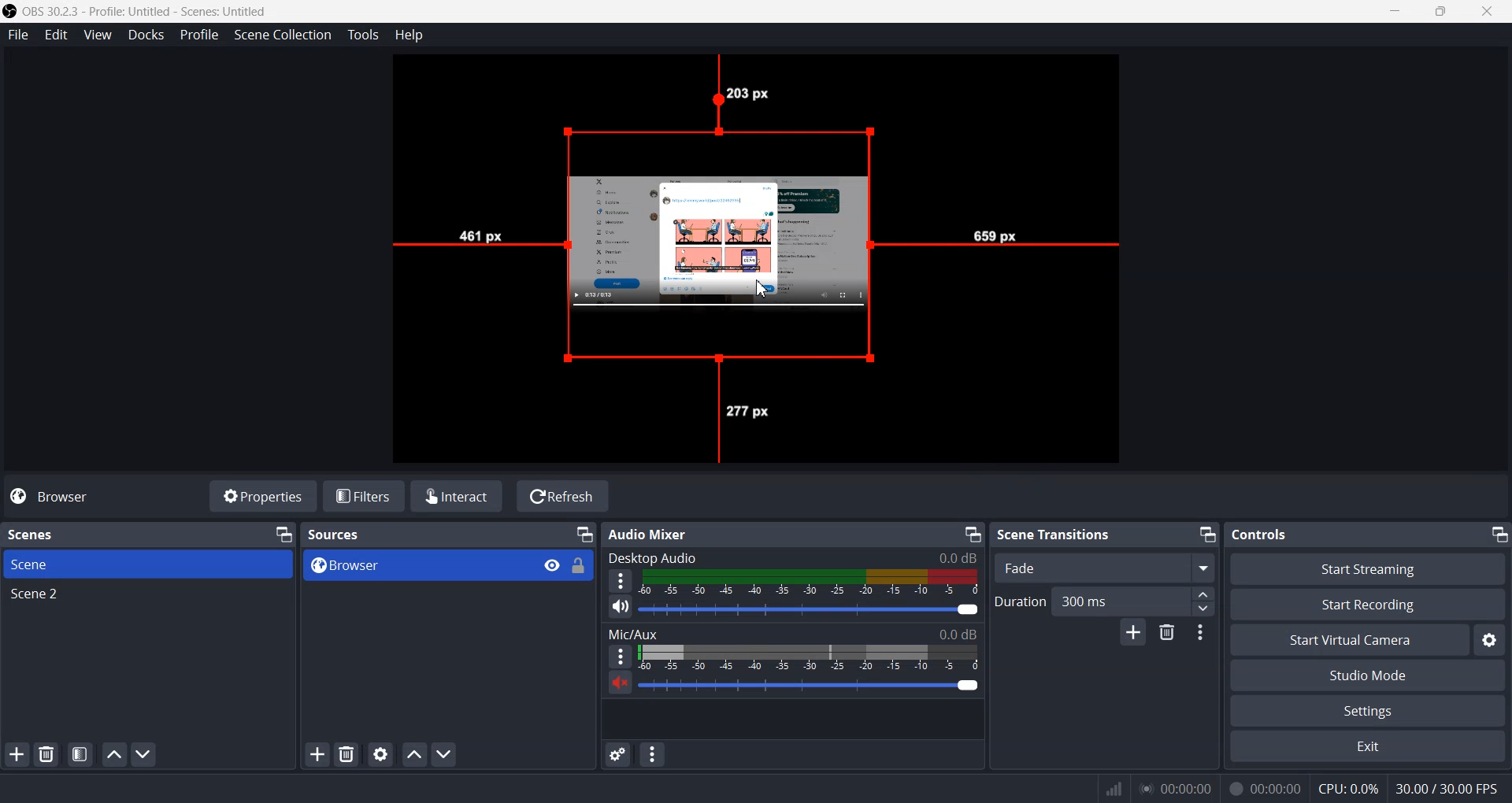  Describe the element at coordinates (1492, 640) in the screenshot. I see `Configure virtual camera` at that location.